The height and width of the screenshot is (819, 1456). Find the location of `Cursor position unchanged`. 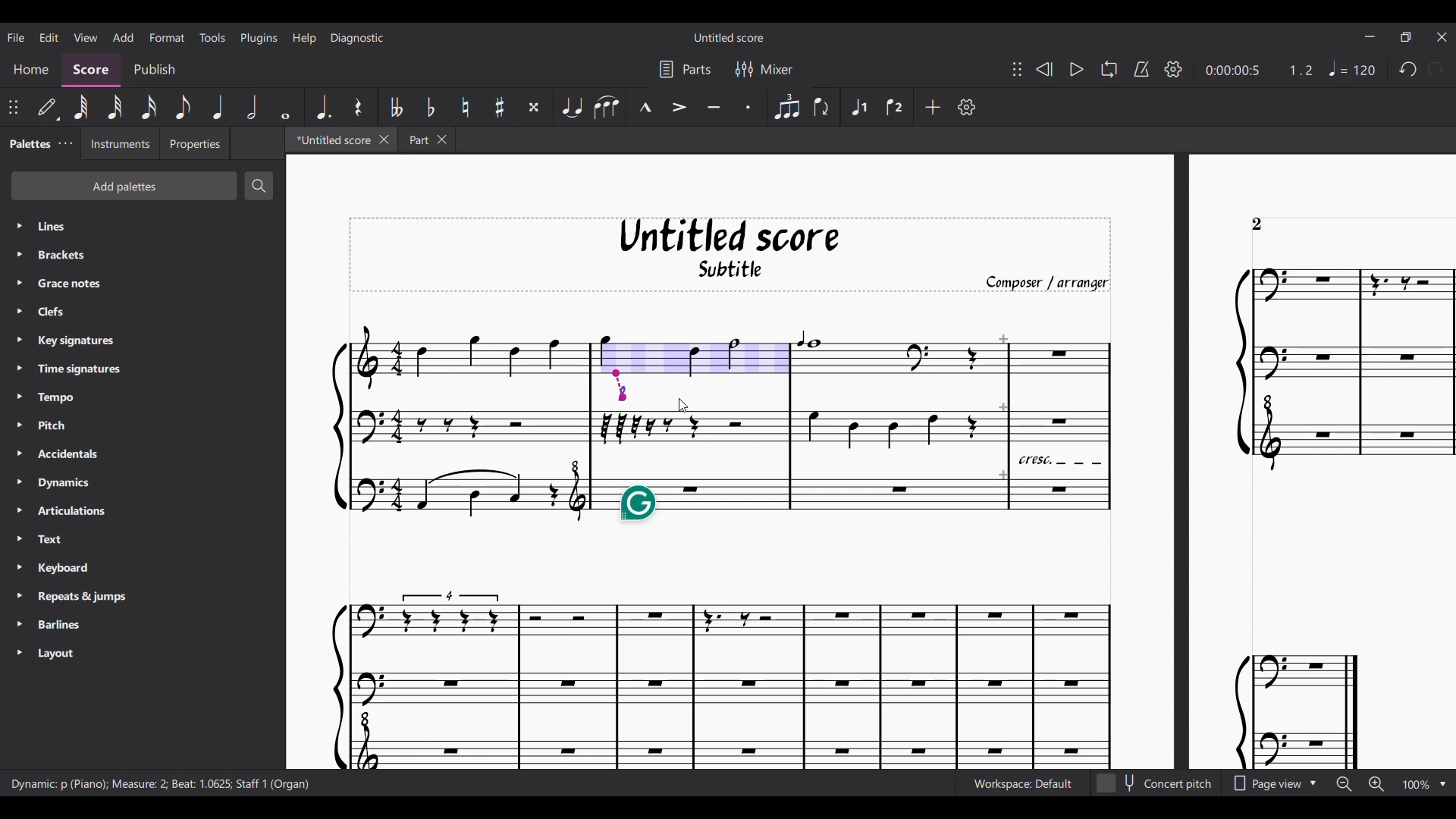

Cursor position unchanged is located at coordinates (682, 405).